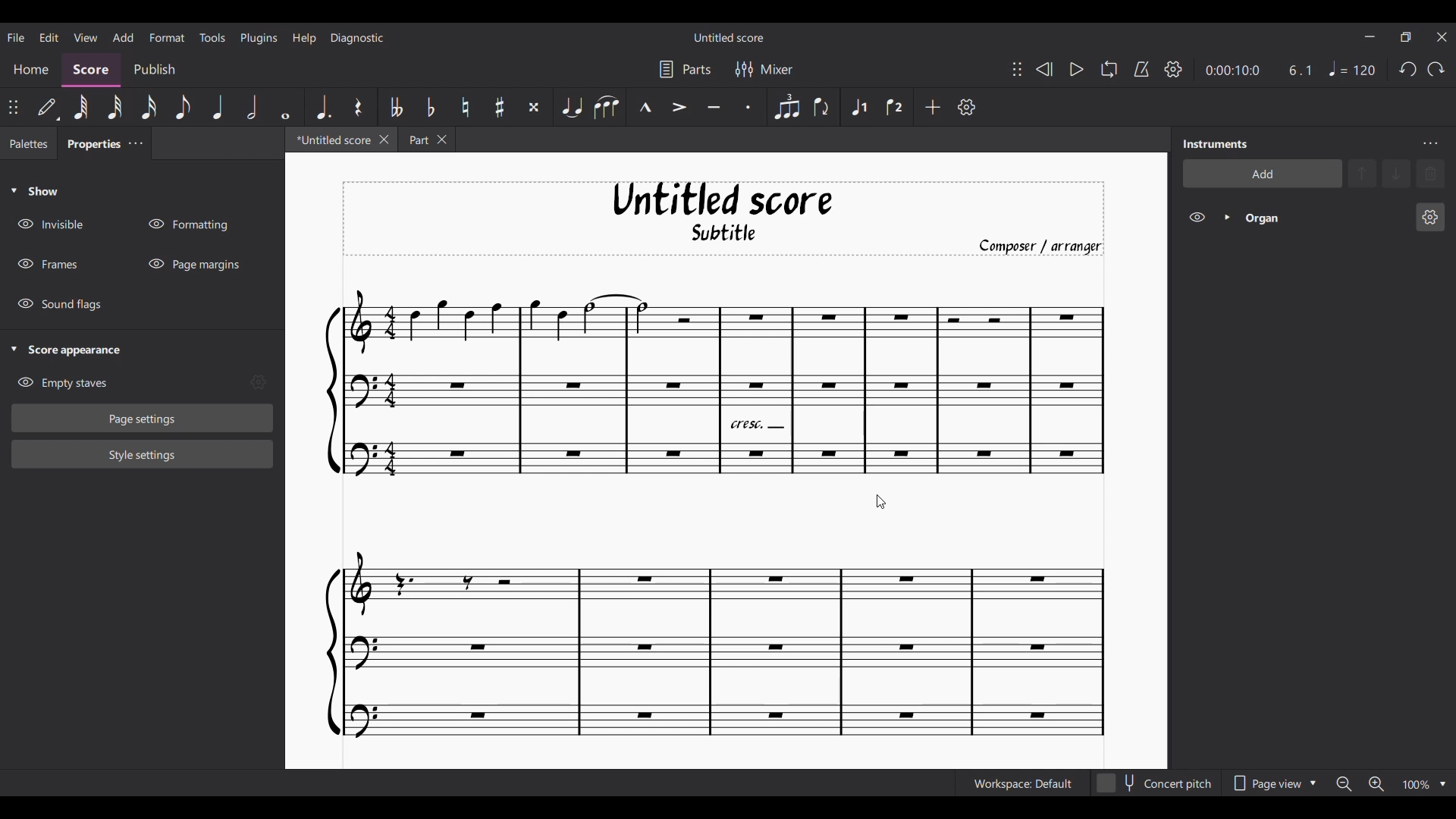 This screenshot has width=1456, height=819. I want to click on Undo, so click(1407, 69).